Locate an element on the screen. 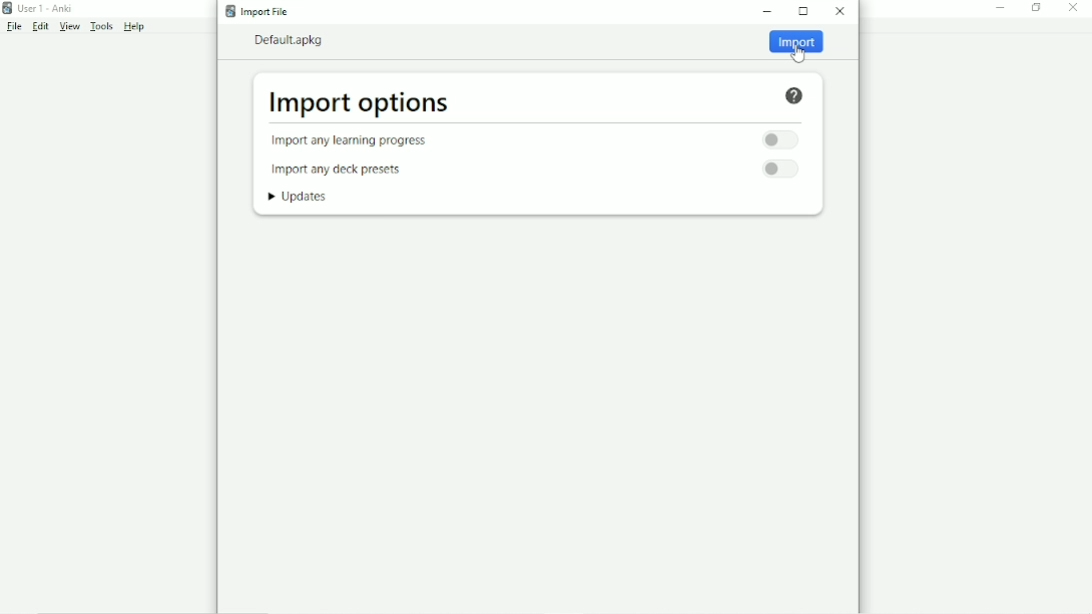 The height and width of the screenshot is (614, 1092). Edit is located at coordinates (40, 27).